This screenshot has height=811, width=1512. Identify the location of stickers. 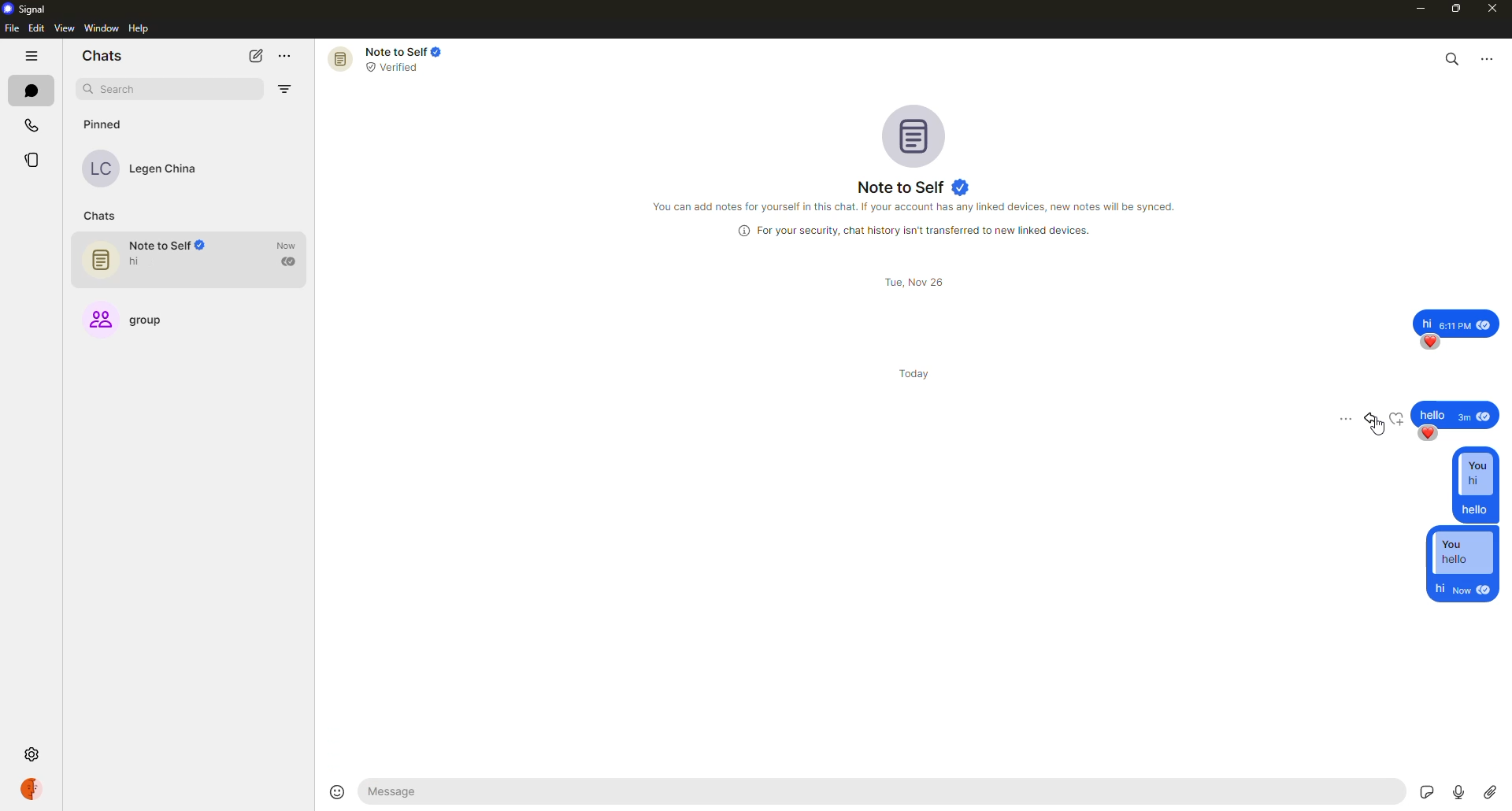
(1416, 789).